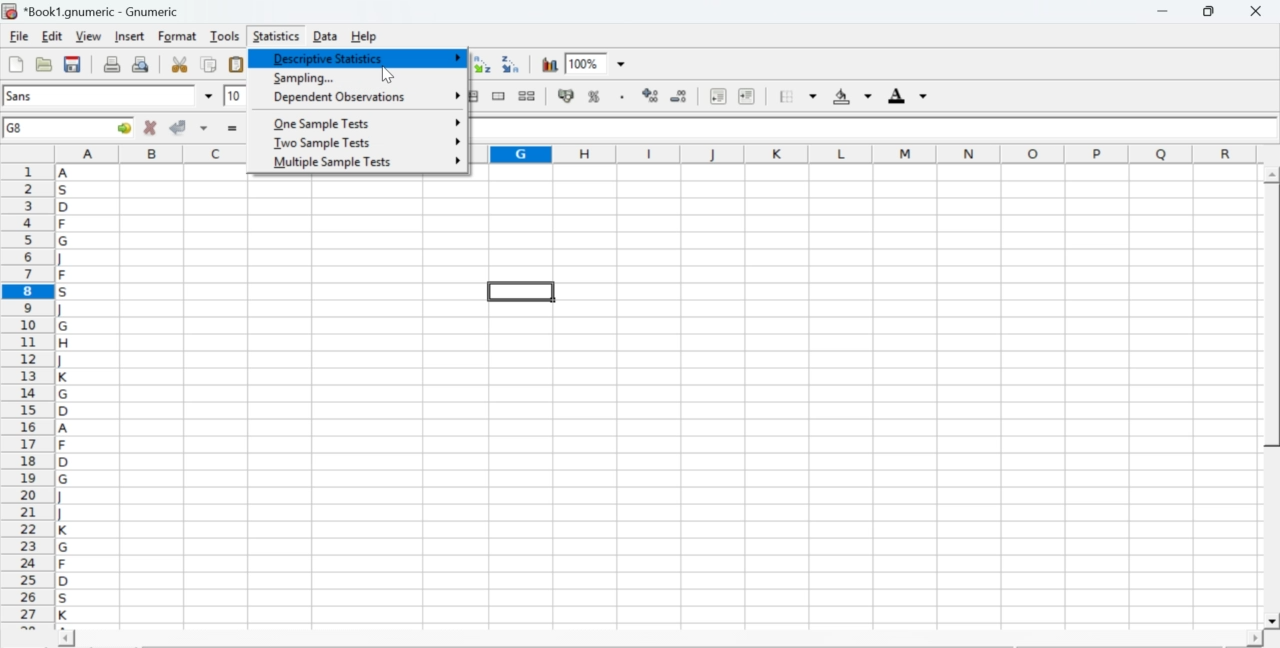 The image size is (1280, 648). What do you see at coordinates (485, 64) in the screenshot?
I see `Sort the selected region in ascending order based on the first column selected` at bounding box center [485, 64].